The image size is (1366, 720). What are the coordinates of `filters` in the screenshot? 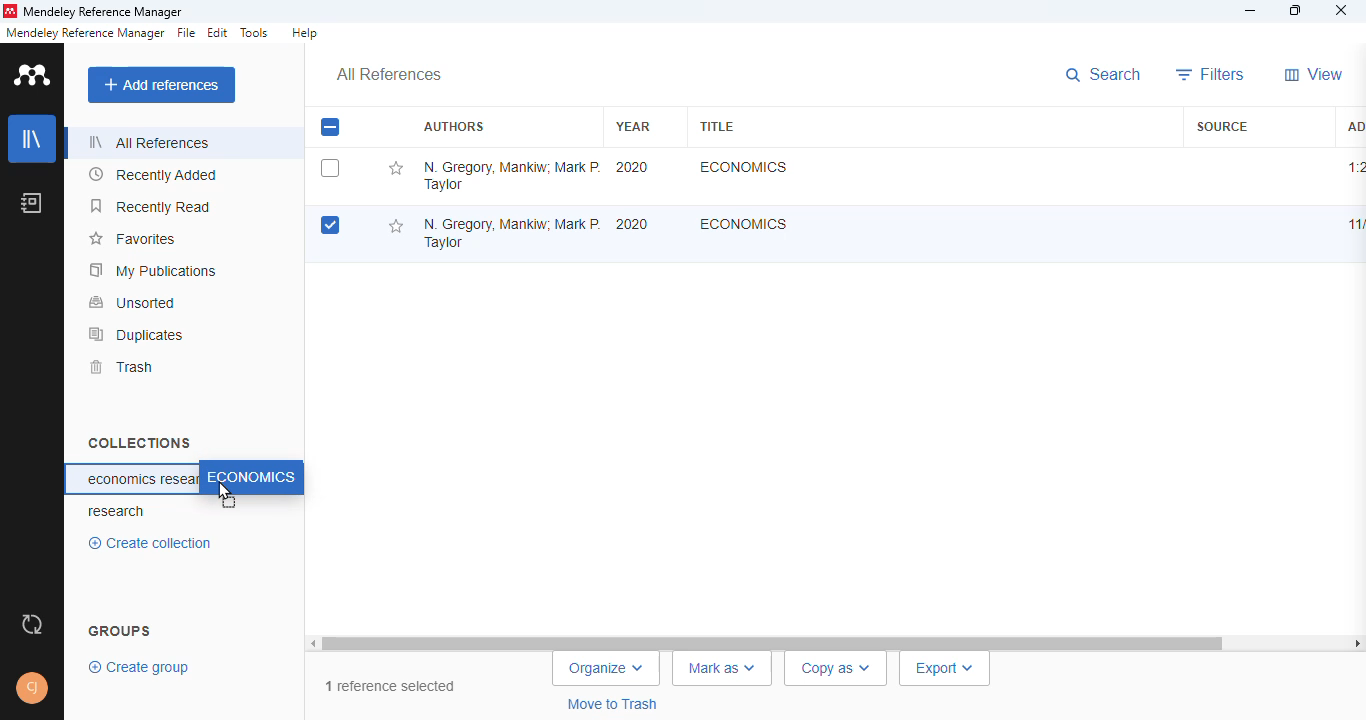 It's located at (1211, 74).